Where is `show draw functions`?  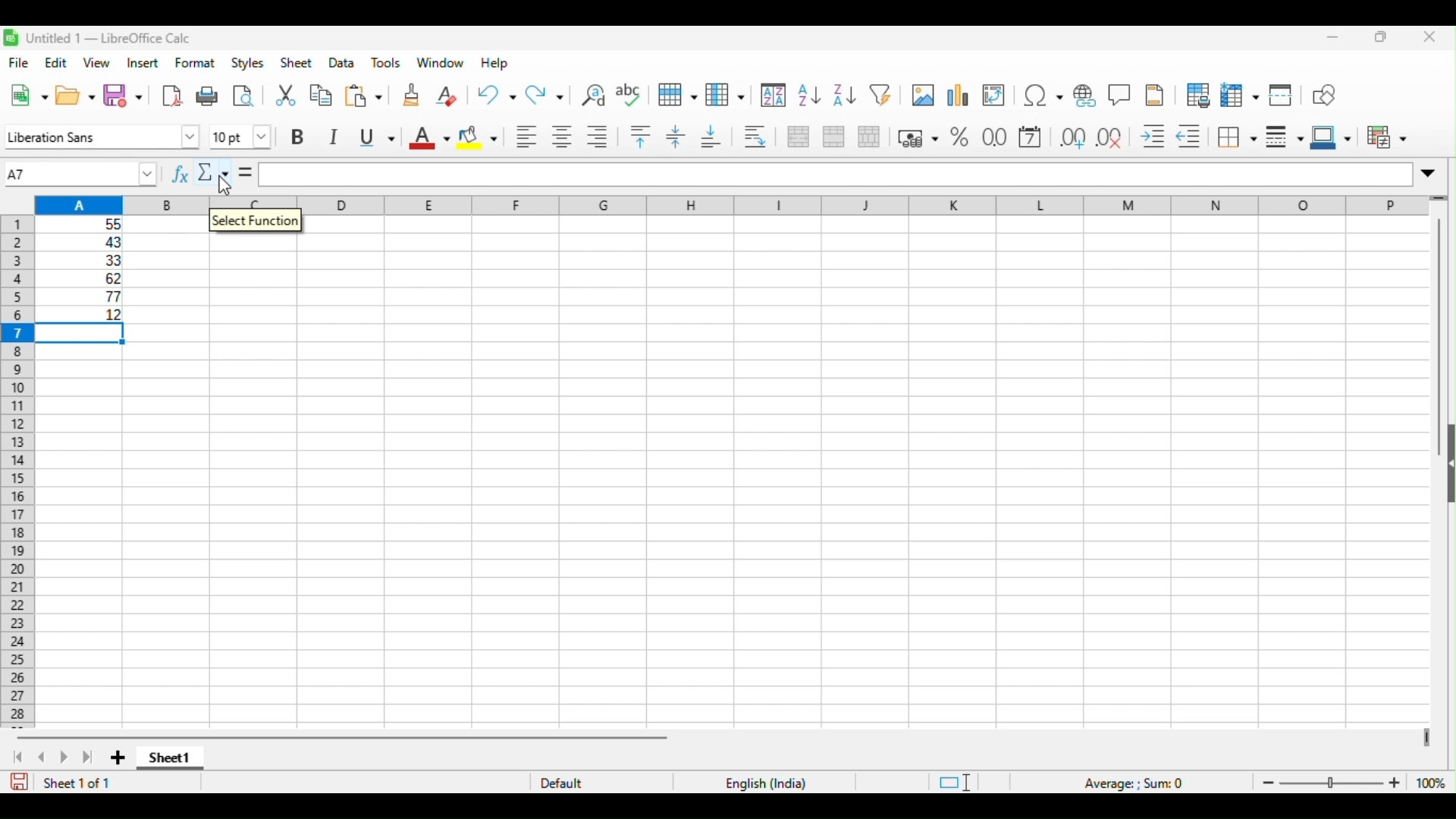 show draw functions is located at coordinates (1327, 93).